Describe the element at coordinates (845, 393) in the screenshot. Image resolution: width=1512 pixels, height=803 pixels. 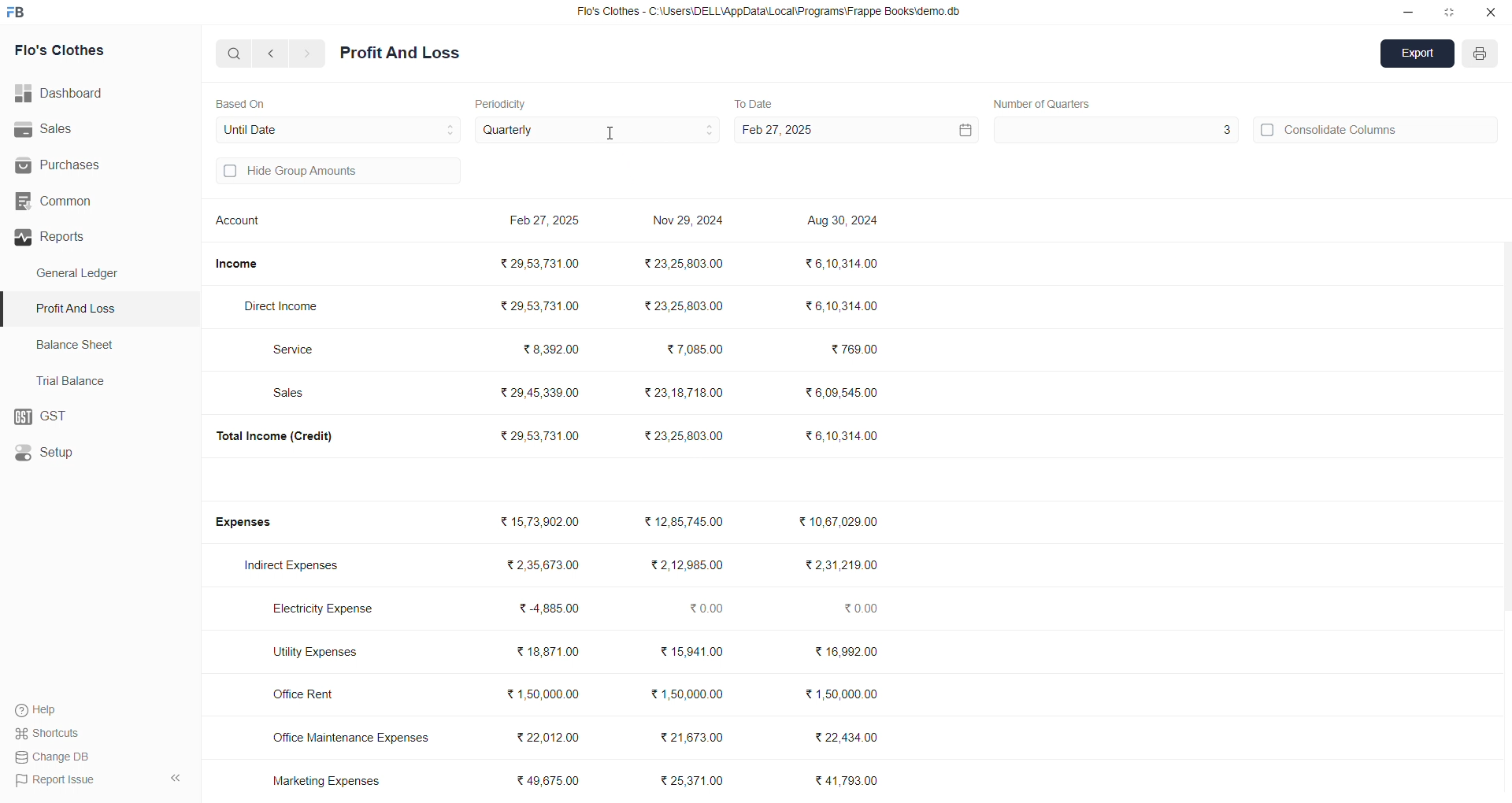
I see `₹6,09,545.00` at that location.